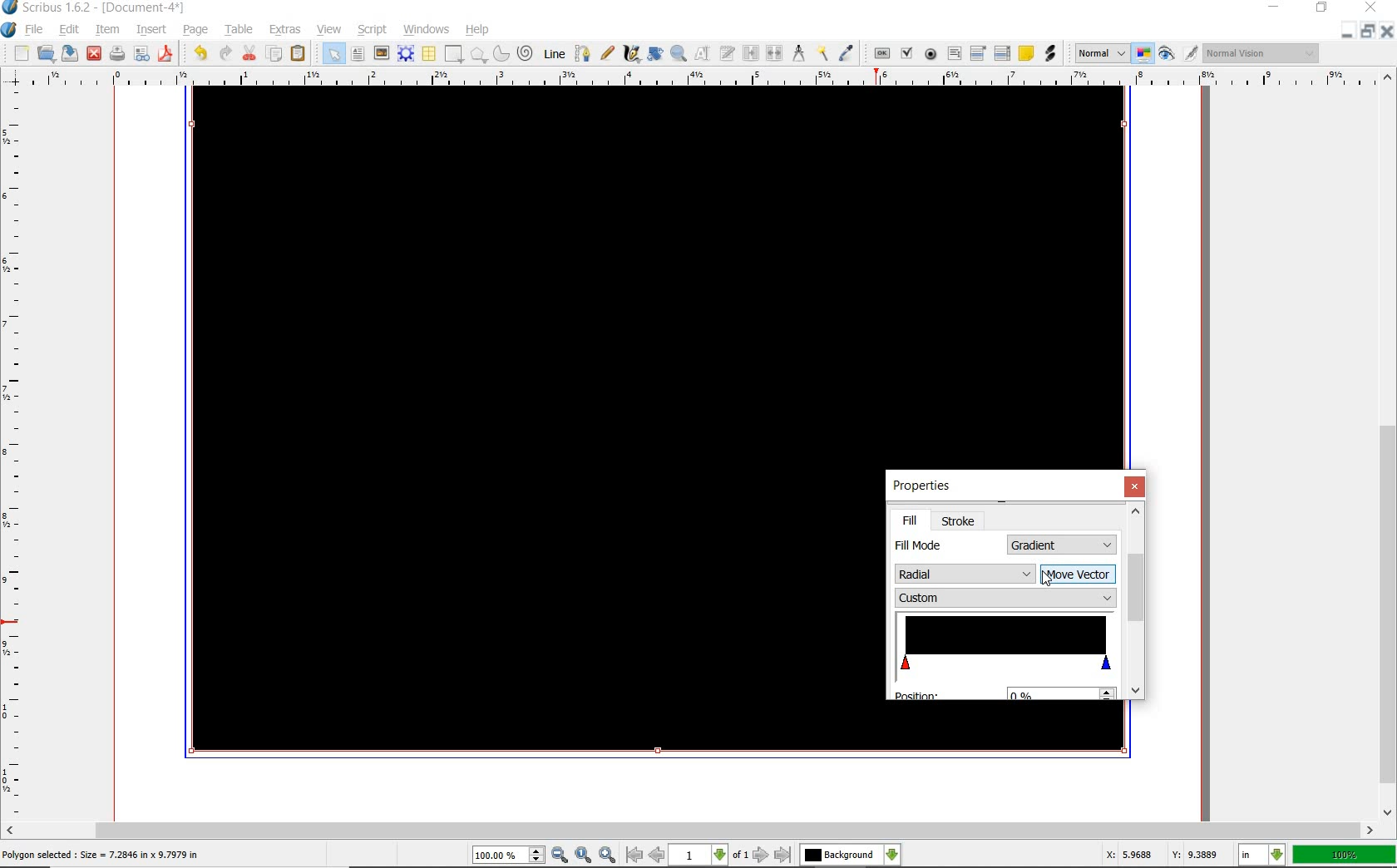 The height and width of the screenshot is (868, 1397). Describe the element at coordinates (609, 54) in the screenshot. I see `freehand line` at that location.